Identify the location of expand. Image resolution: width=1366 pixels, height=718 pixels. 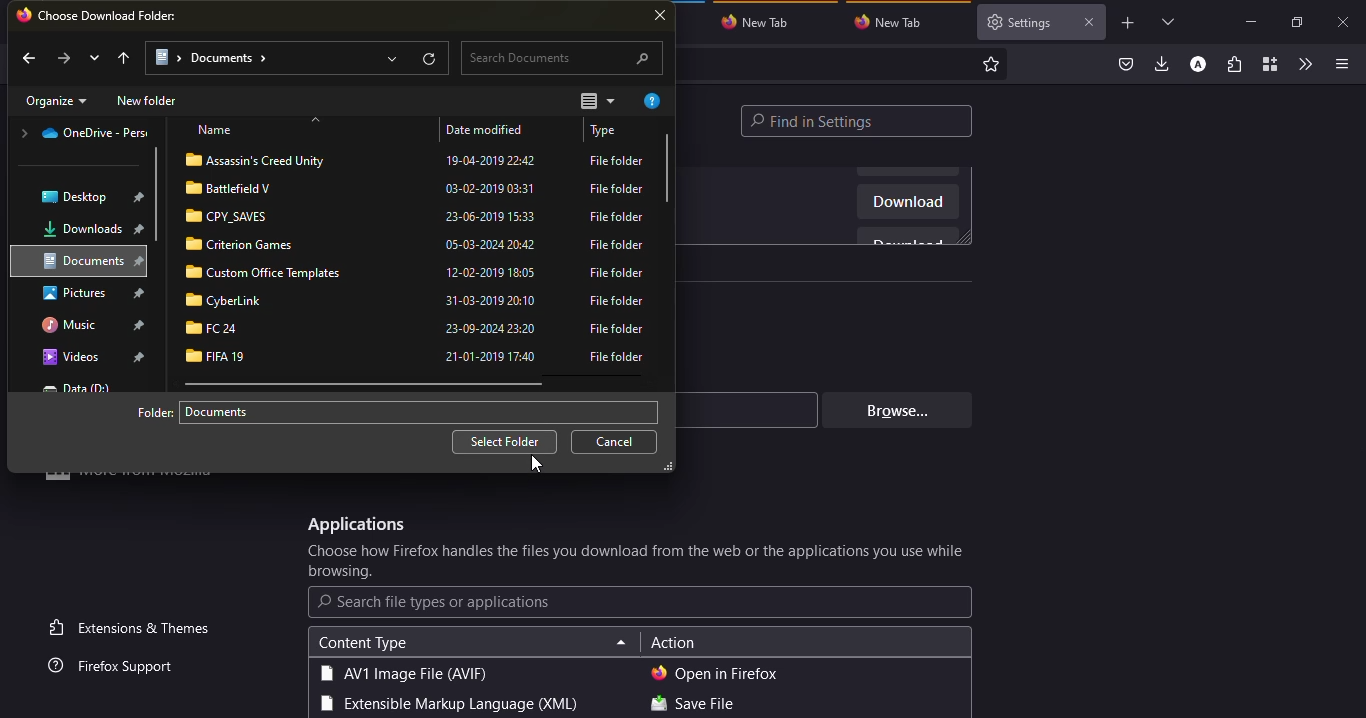
(390, 58).